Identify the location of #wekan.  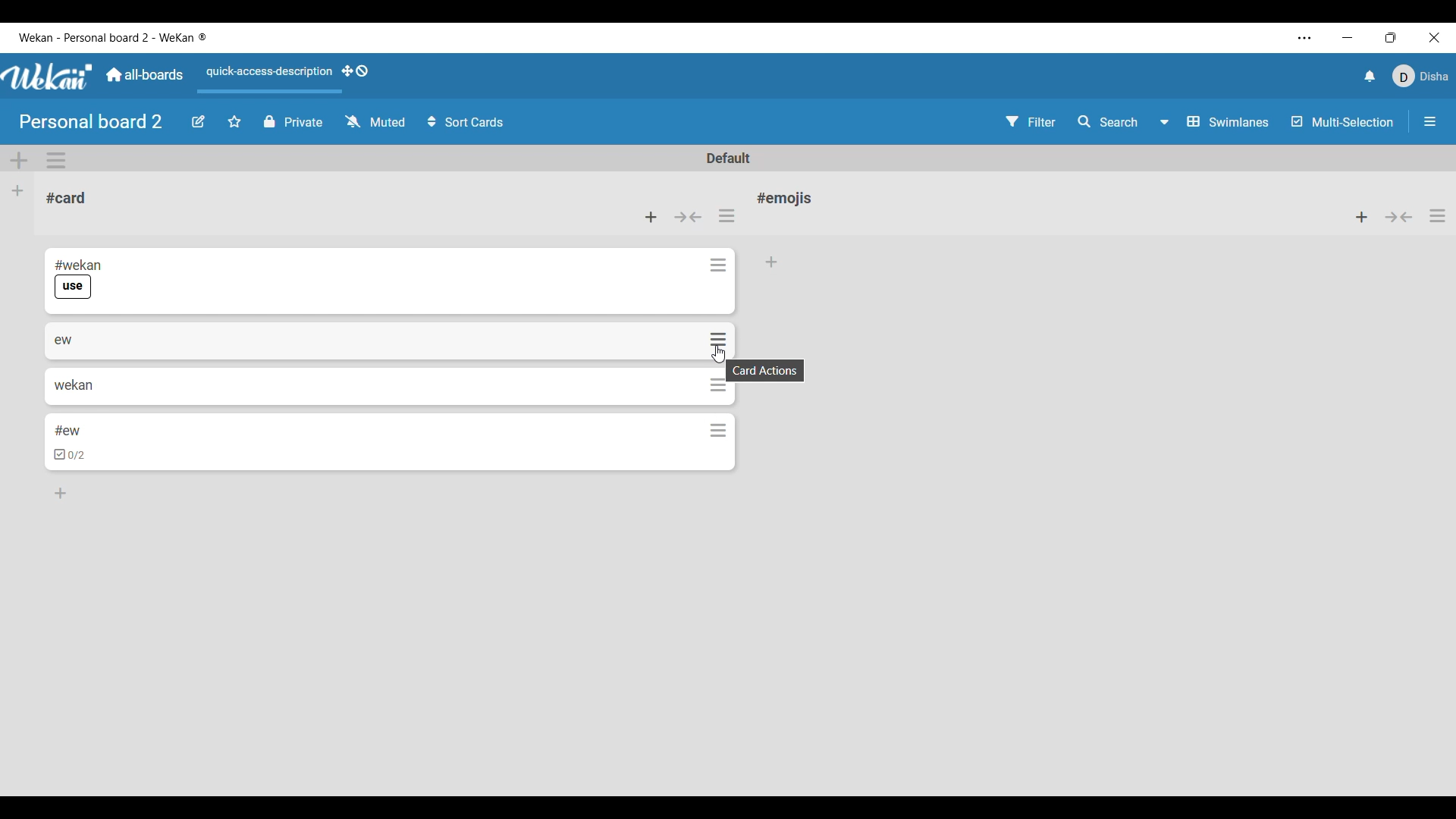
(79, 264).